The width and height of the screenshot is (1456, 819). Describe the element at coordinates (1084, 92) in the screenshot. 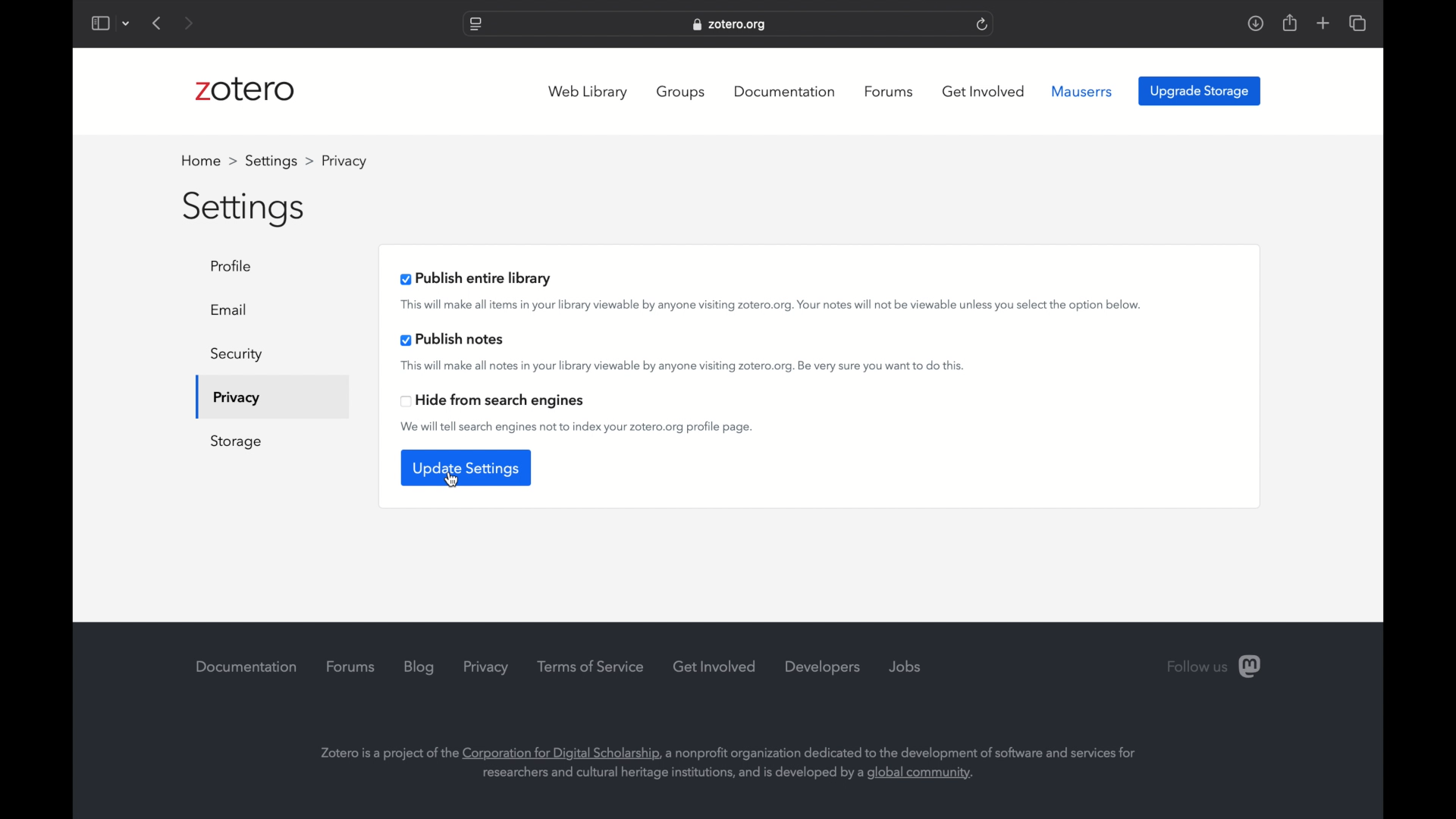

I see `mauserrs` at that location.